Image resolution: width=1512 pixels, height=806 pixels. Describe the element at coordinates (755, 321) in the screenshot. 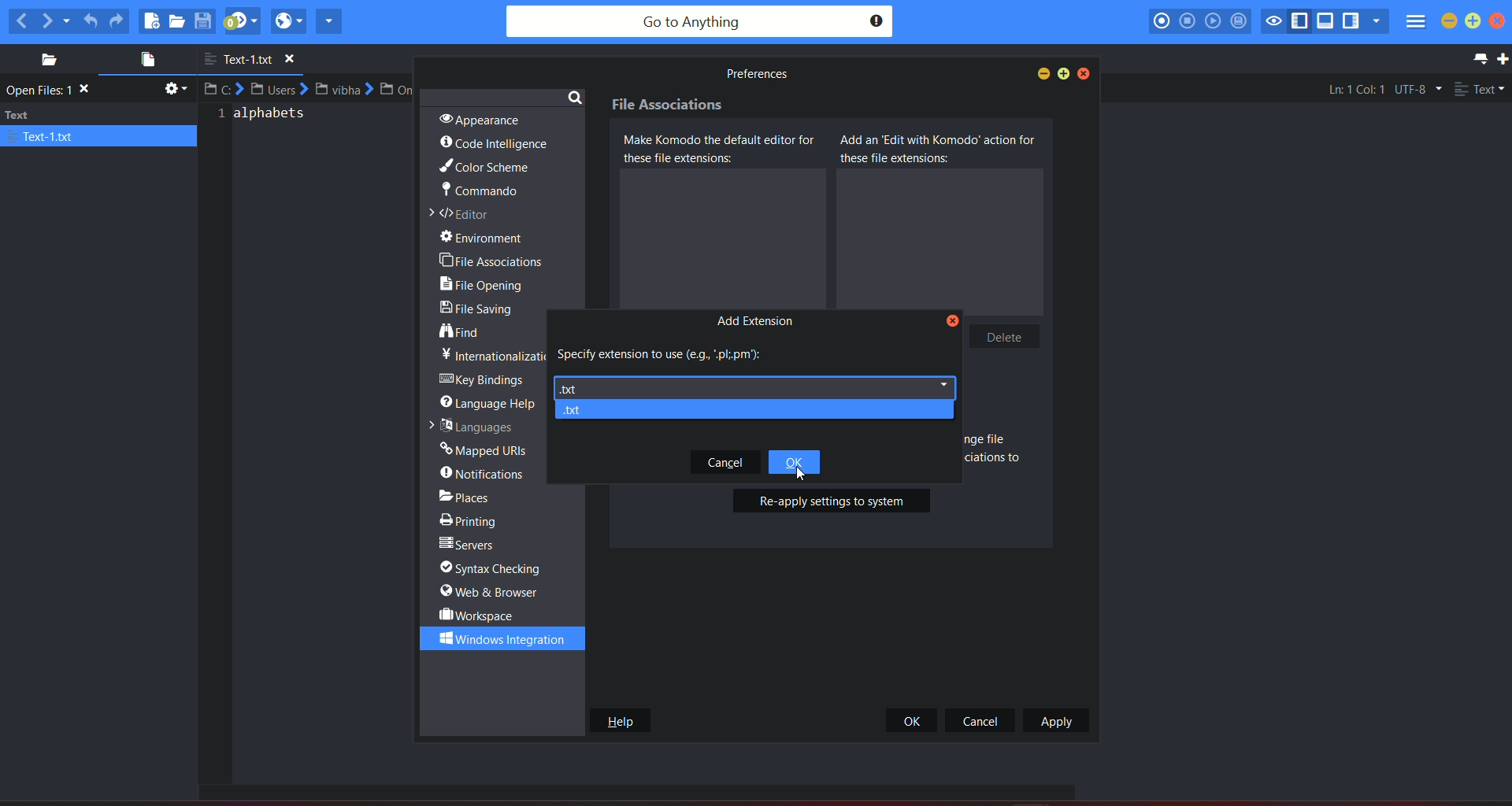

I see `Add extension` at that location.